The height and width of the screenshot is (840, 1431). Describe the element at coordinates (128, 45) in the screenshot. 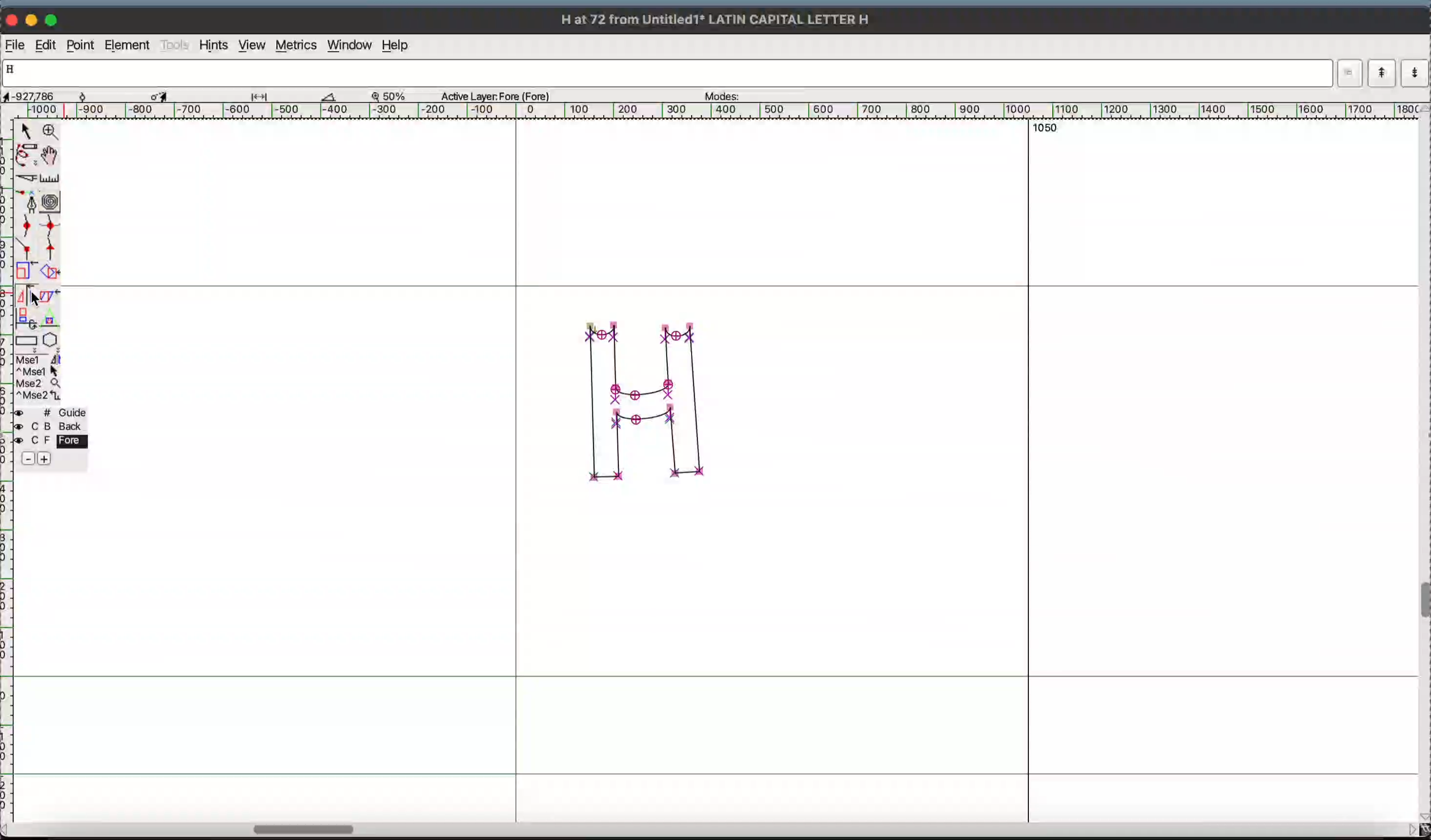

I see `element` at that location.